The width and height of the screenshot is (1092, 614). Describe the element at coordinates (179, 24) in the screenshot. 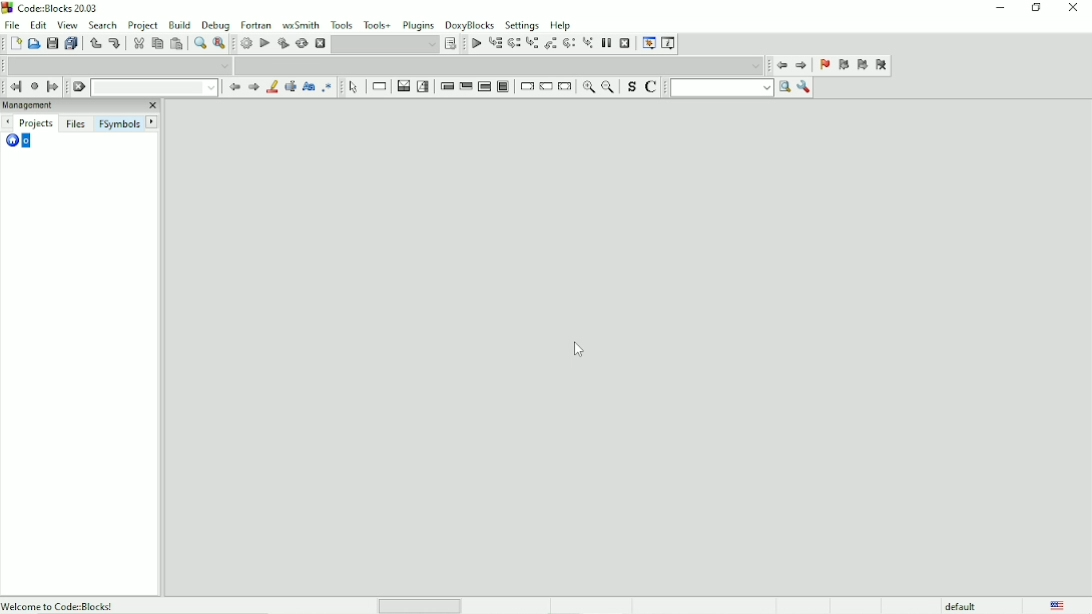

I see `Build` at that location.